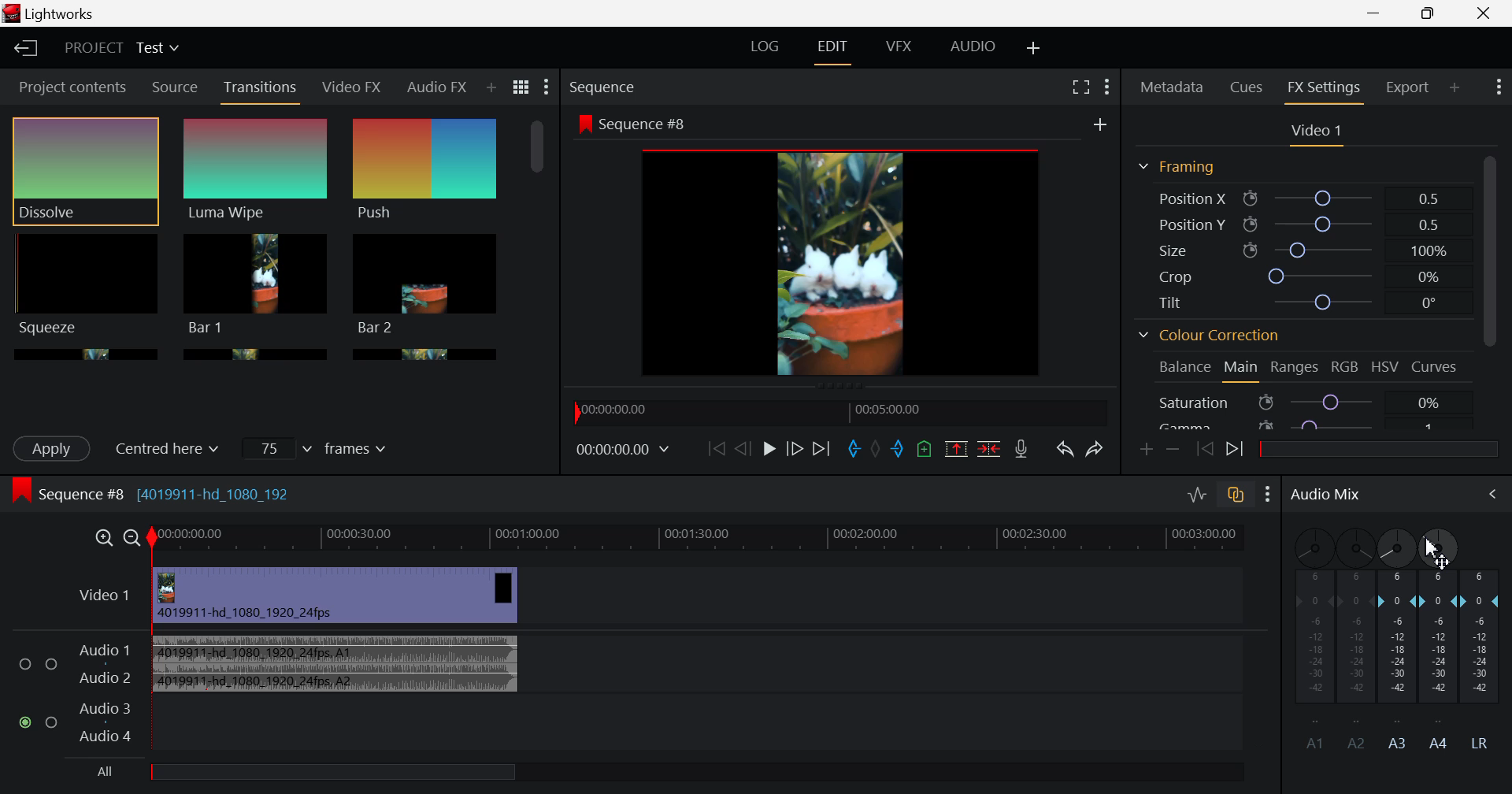 The width and height of the screenshot is (1512, 794). Describe the element at coordinates (261, 92) in the screenshot. I see `Transitions Panel Open` at that location.